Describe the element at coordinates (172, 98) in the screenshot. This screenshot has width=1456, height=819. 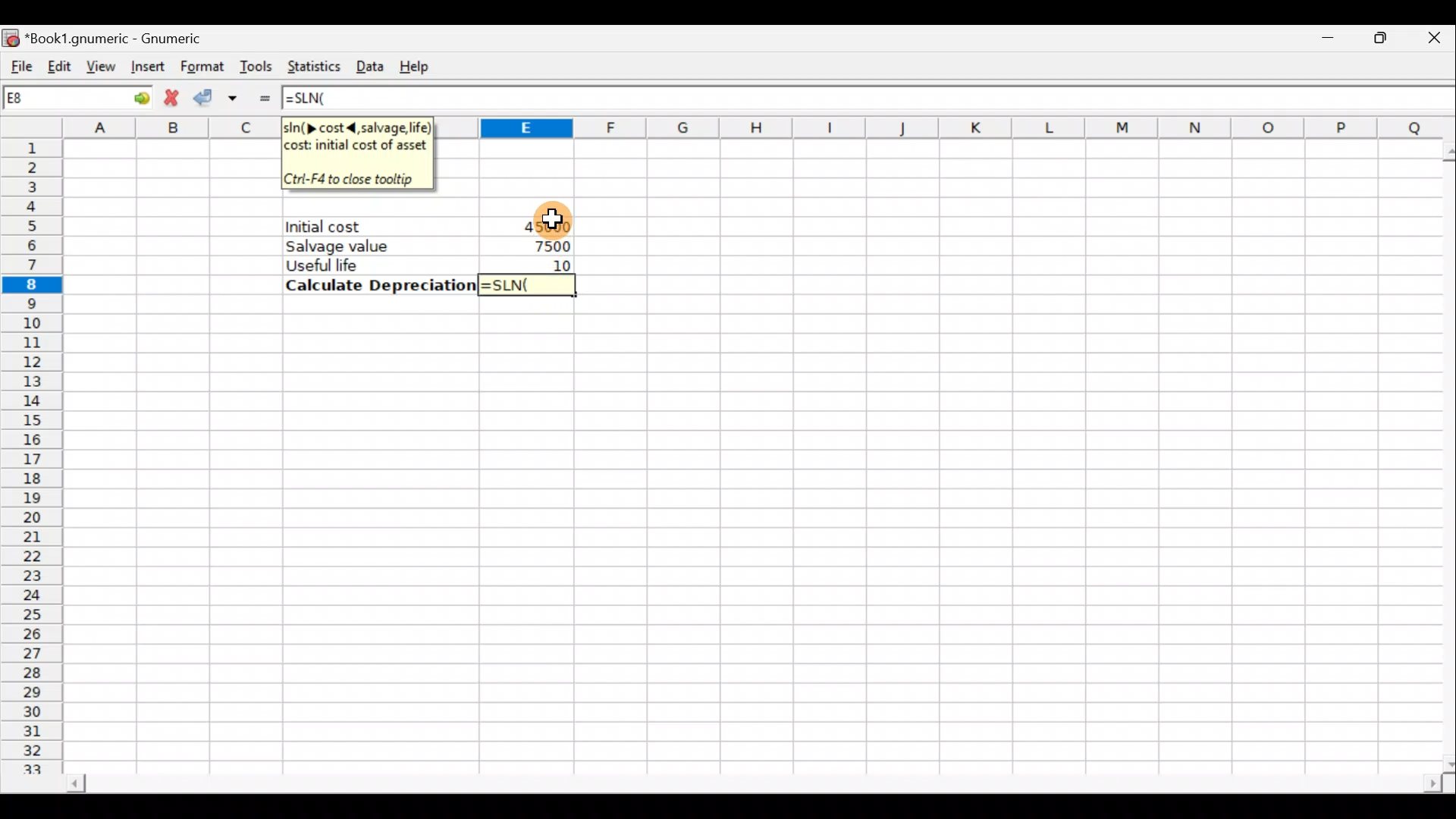
I see `Cancel change` at that location.